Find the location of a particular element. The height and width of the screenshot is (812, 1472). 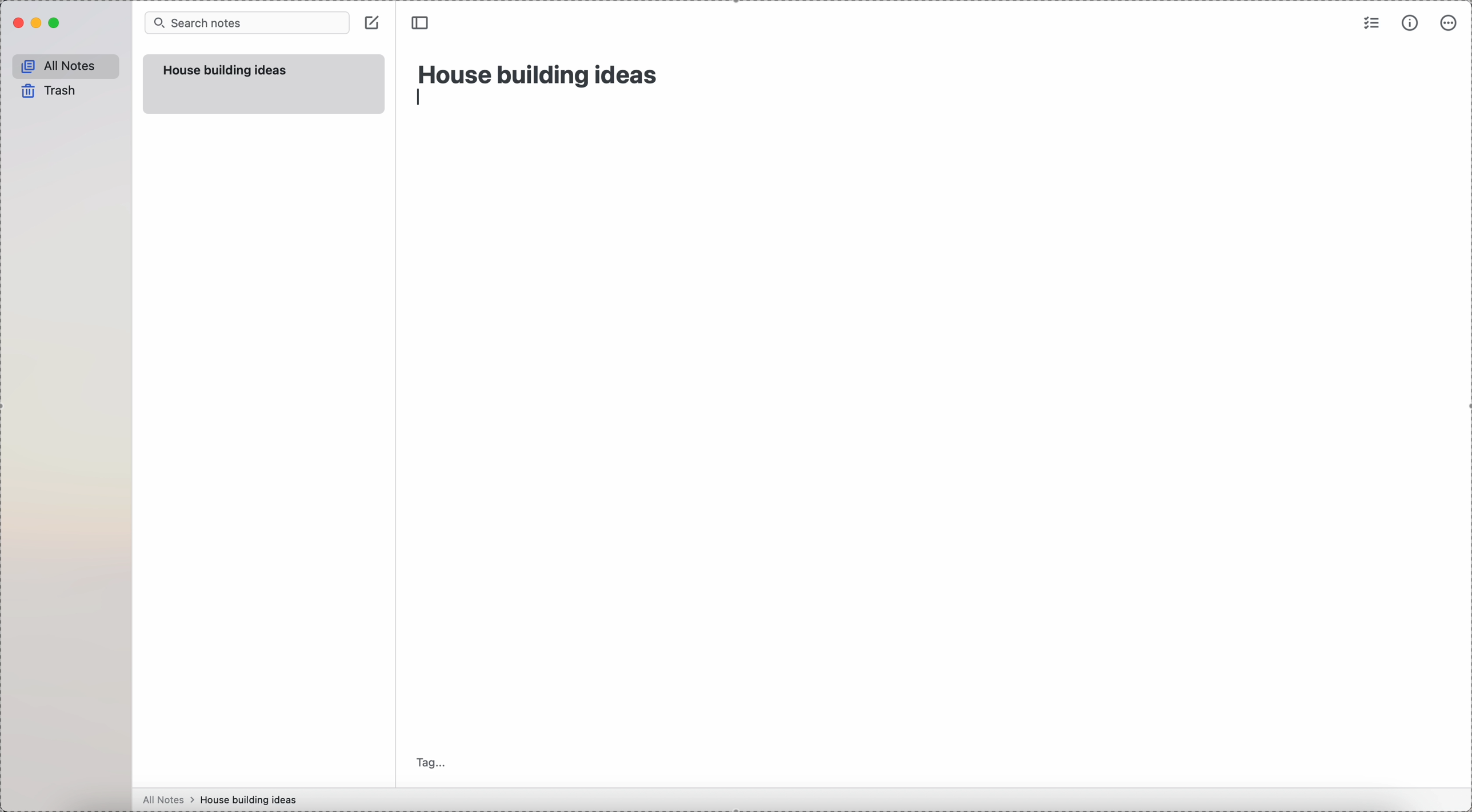

create note is located at coordinates (374, 26).